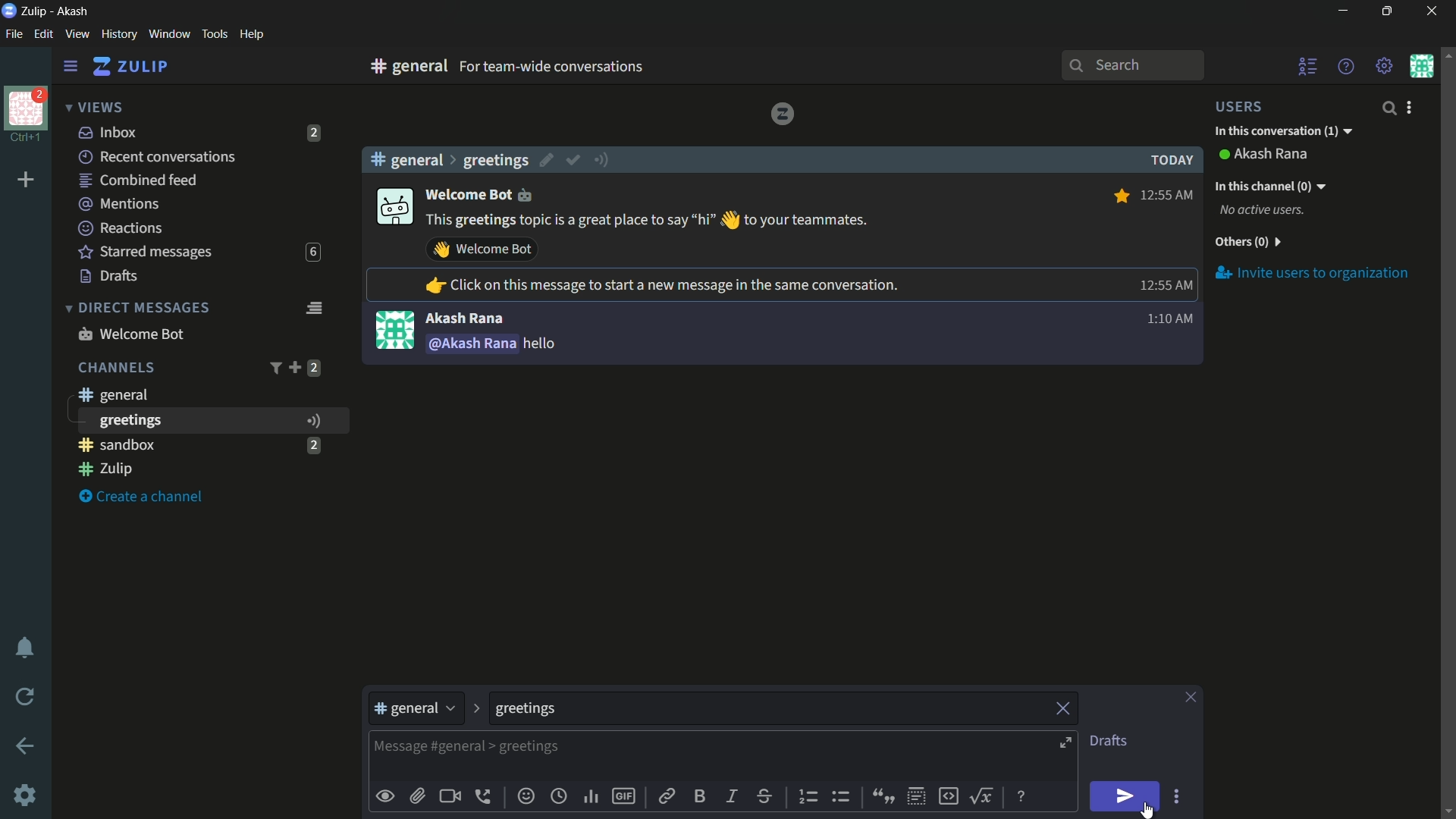 The height and width of the screenshot is (819, 1456). Describe the element at coordinates (665, 799) in the screenshot. I see `link` at that location.